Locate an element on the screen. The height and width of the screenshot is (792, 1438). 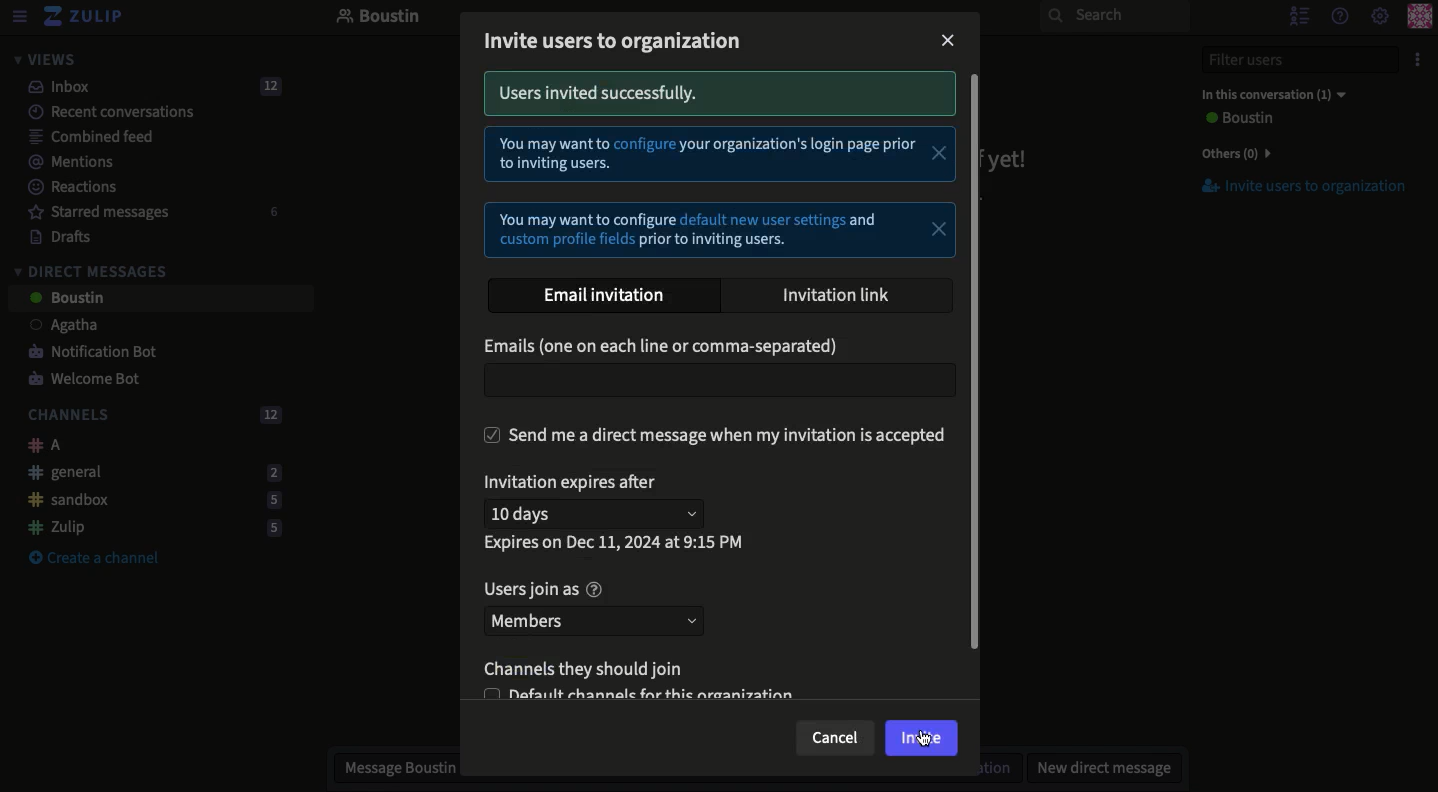
Recent conversations is located at coordinates (99, 111).